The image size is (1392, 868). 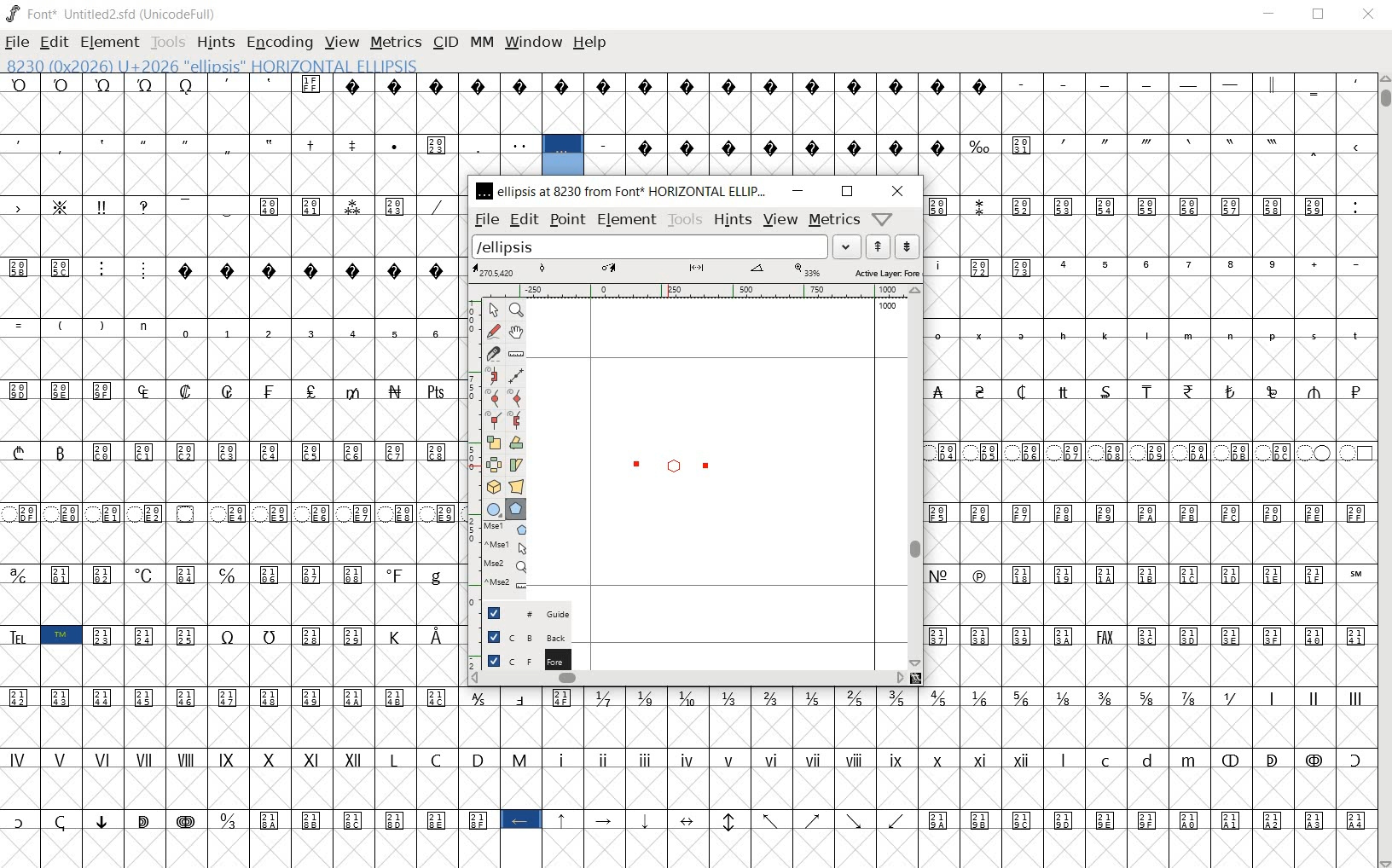 I want to click on measure a distance, angle between points, so click(x=516, y=352).